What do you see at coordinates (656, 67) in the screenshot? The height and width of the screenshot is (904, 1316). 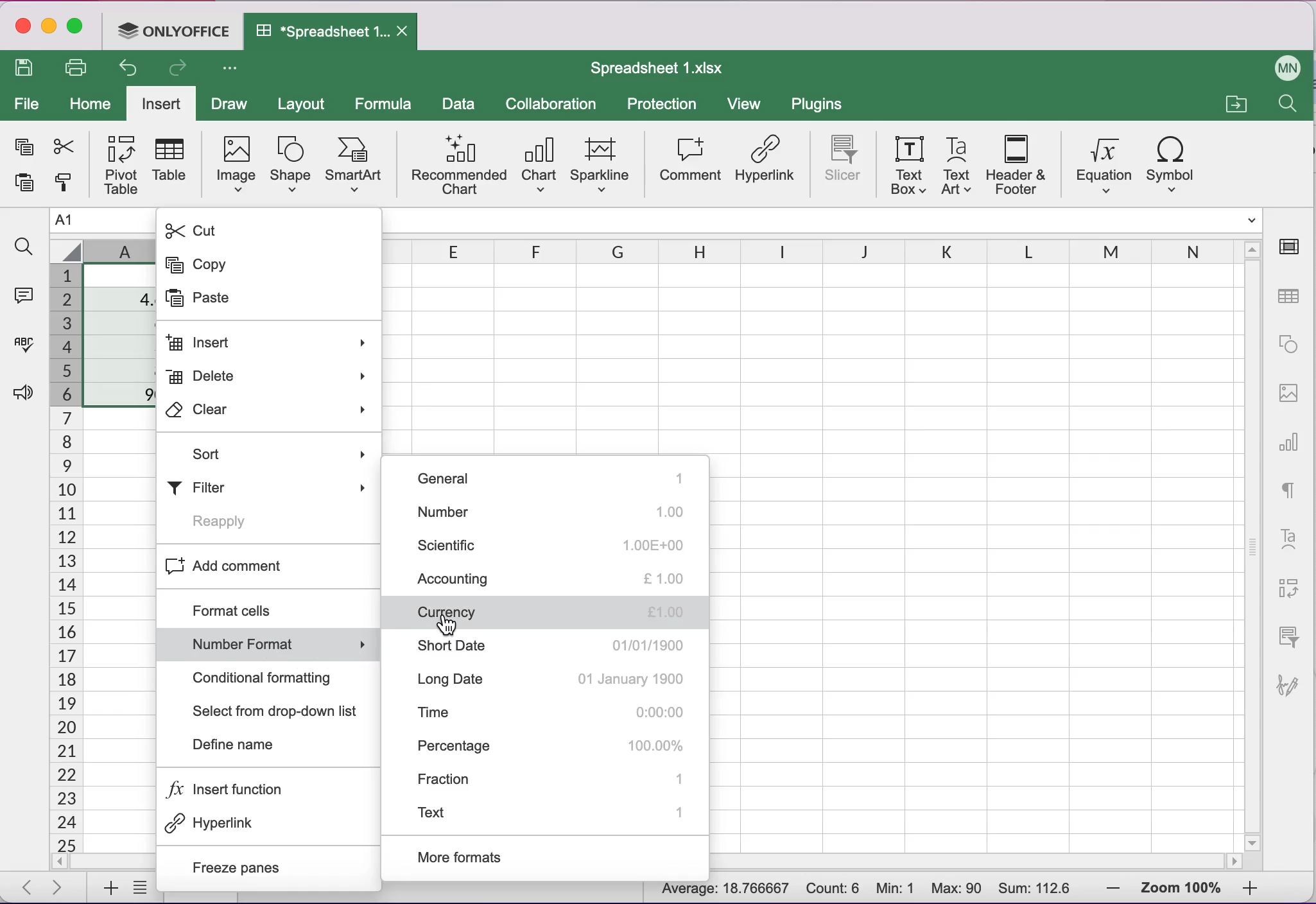 I see `Spreadsheet 1.xIsx` at bounding box center [656, 67].